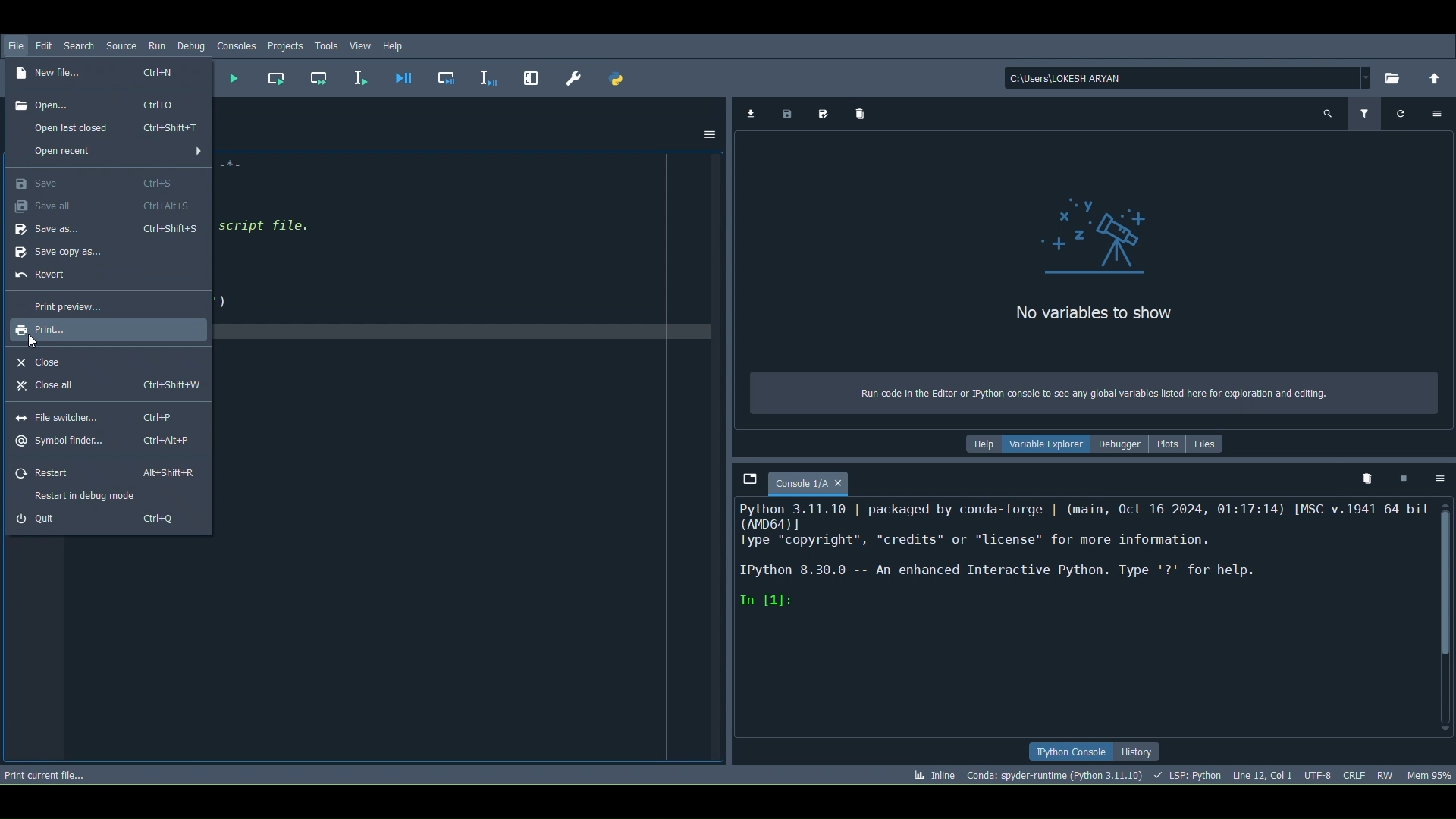  Describe the element at coordinates (44, 46) in the screenshot. I see `Edit` at that location.